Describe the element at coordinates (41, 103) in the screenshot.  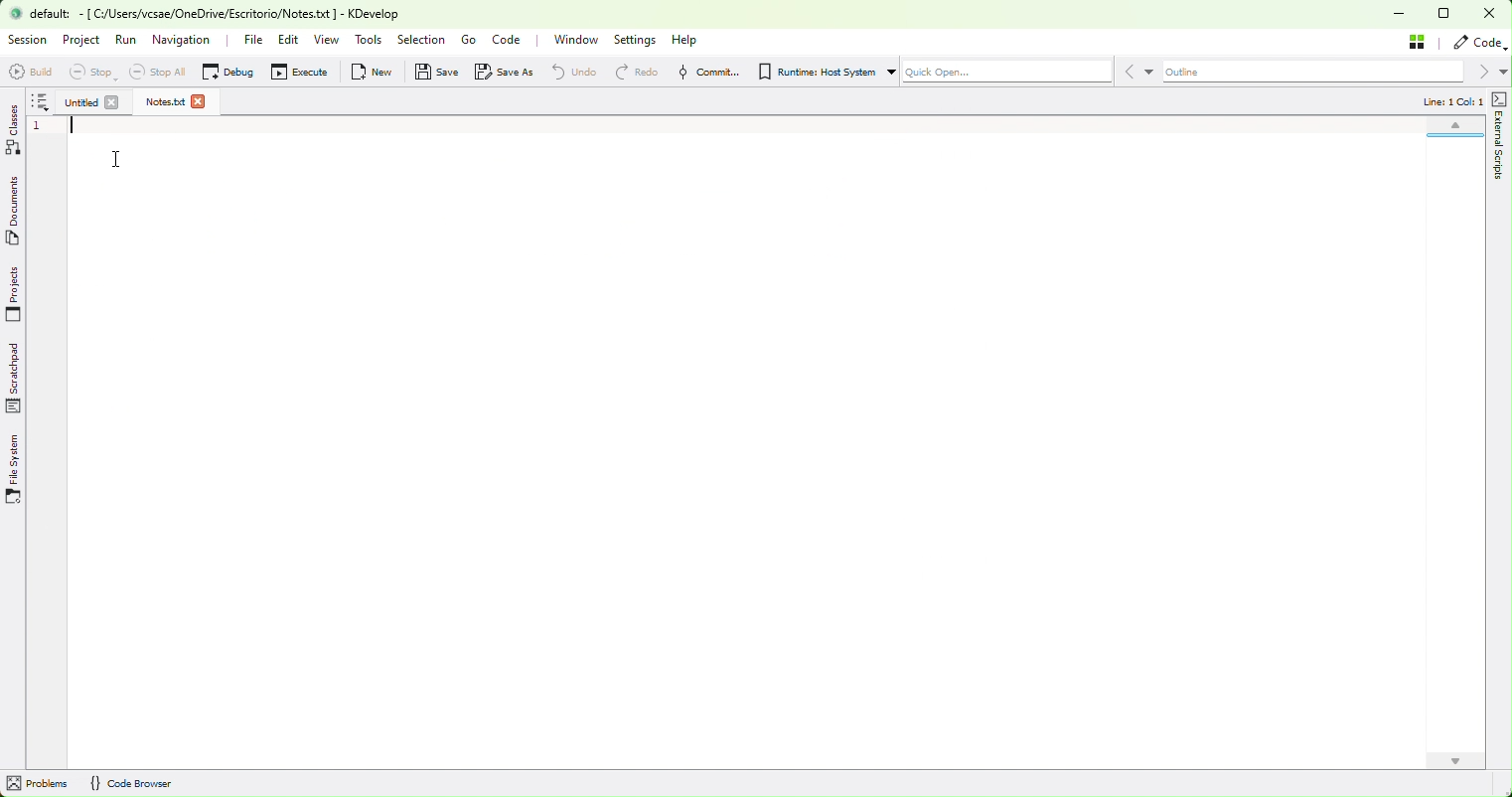
I see `more options` at that location.